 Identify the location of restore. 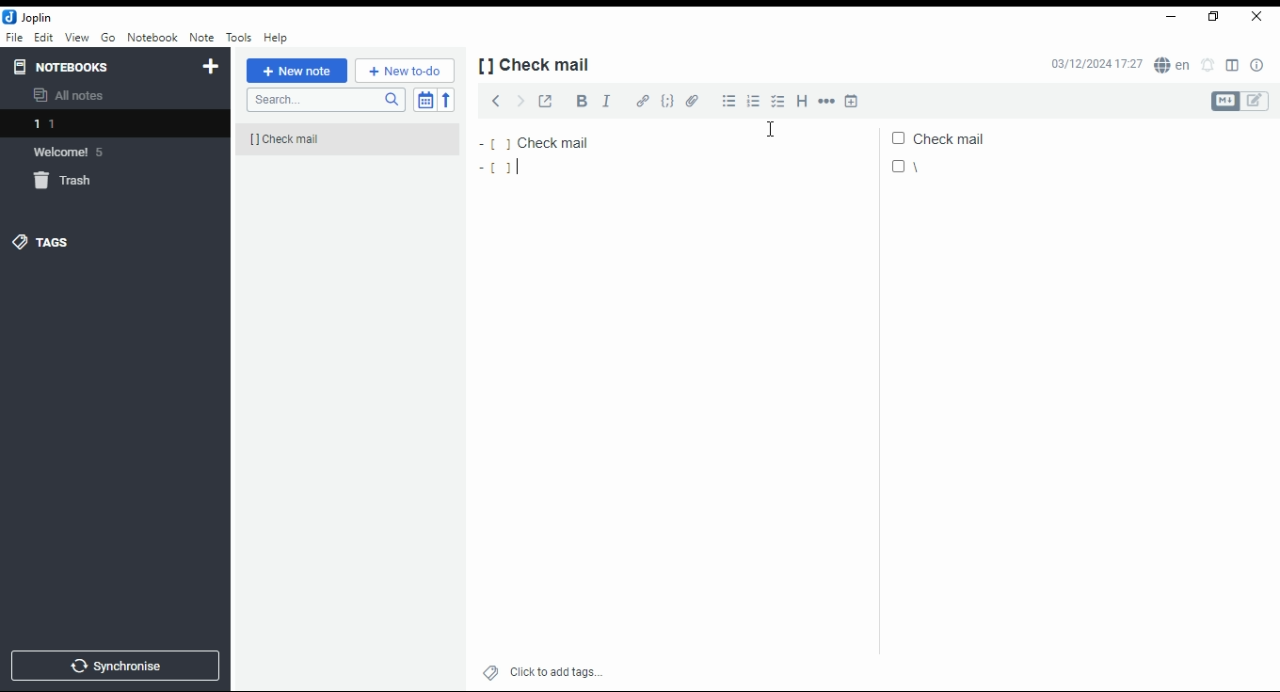
(1216, 17).